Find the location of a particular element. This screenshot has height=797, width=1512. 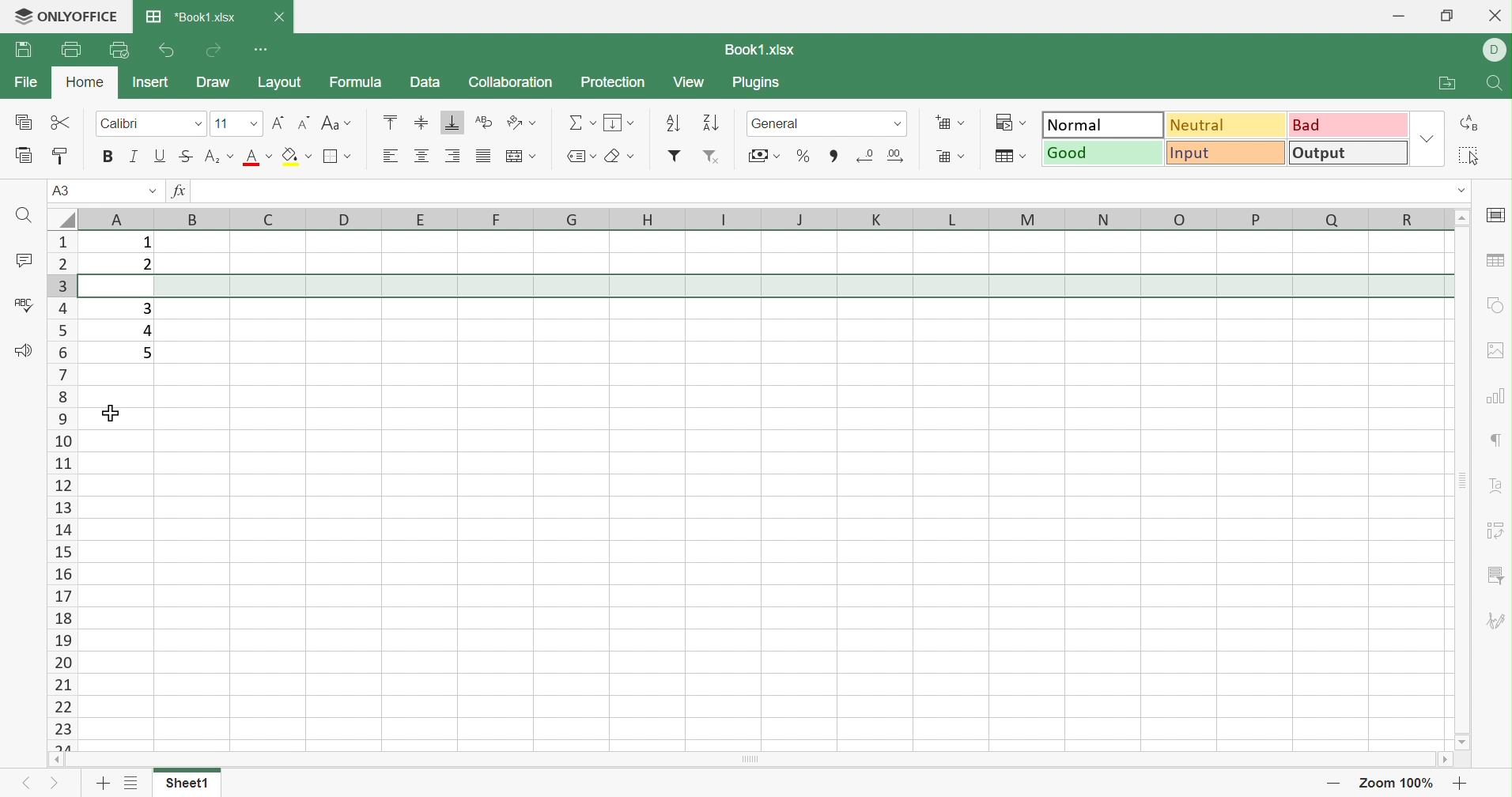

Align Right is located at coordinates (455, 153).